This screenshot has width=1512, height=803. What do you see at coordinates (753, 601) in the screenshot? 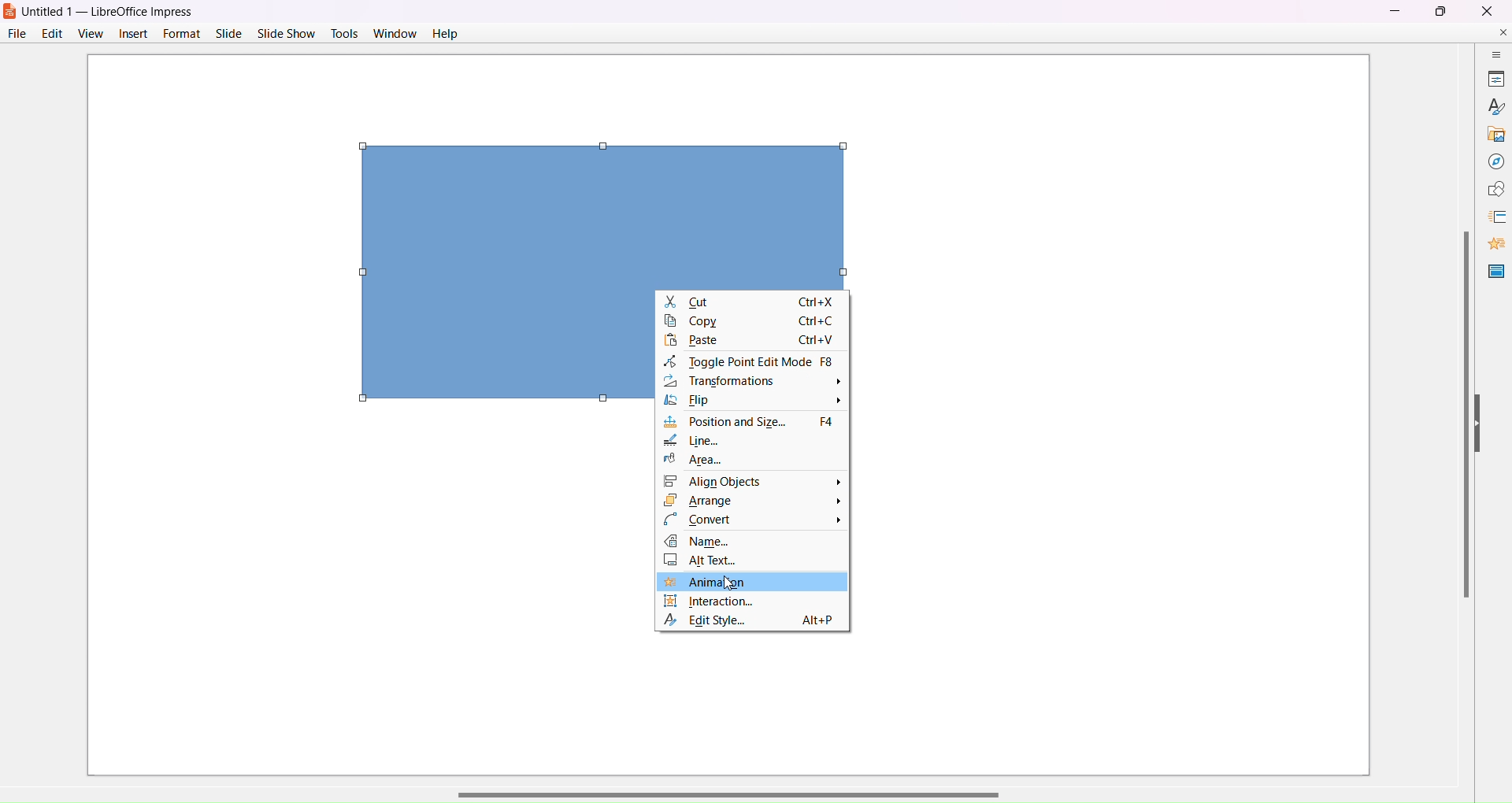
I see `Interaction` at bounding box center [753, 601].